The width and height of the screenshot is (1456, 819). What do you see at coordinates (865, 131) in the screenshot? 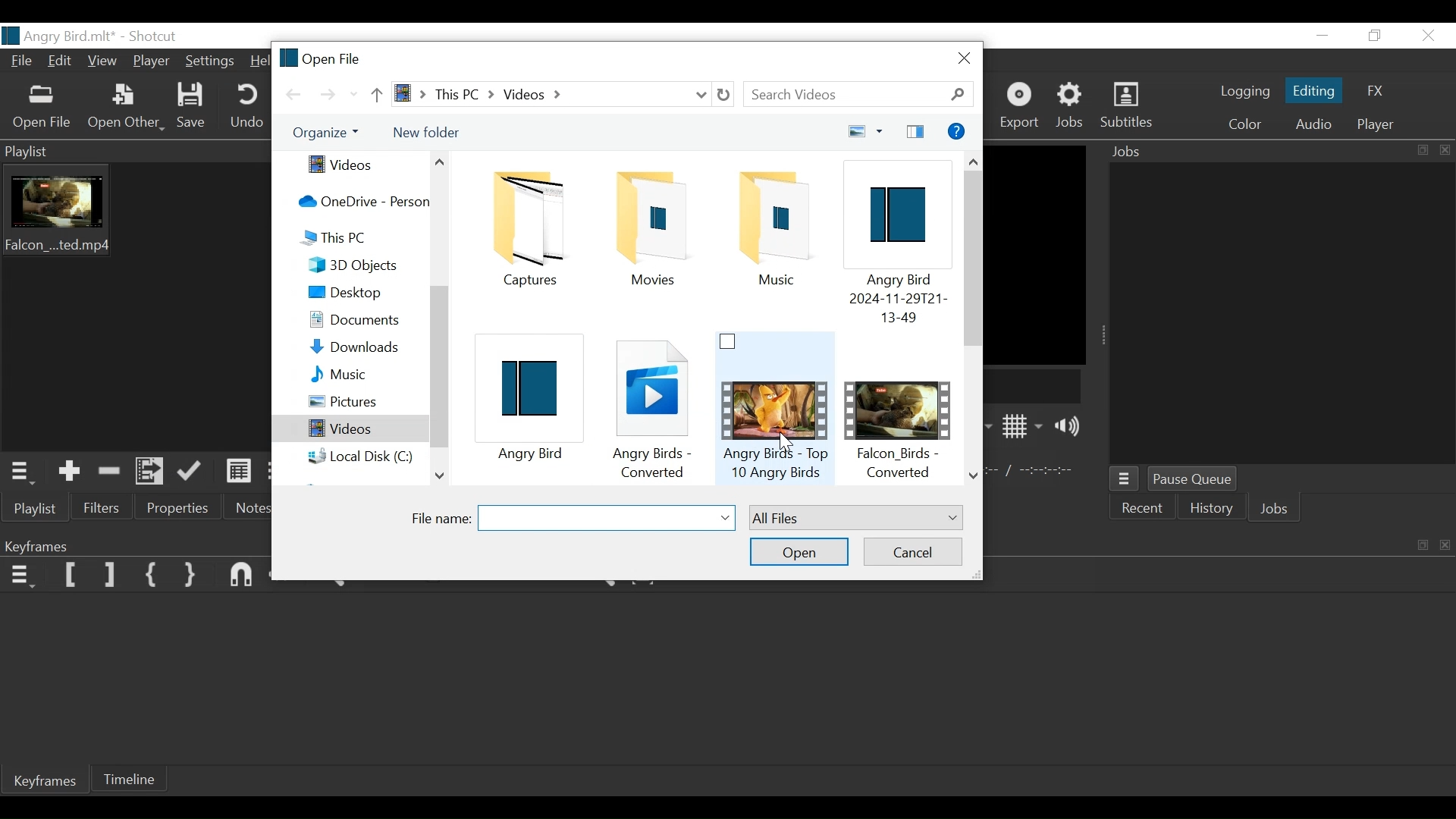
I see `Change your view` at bounding box center [865, 131].